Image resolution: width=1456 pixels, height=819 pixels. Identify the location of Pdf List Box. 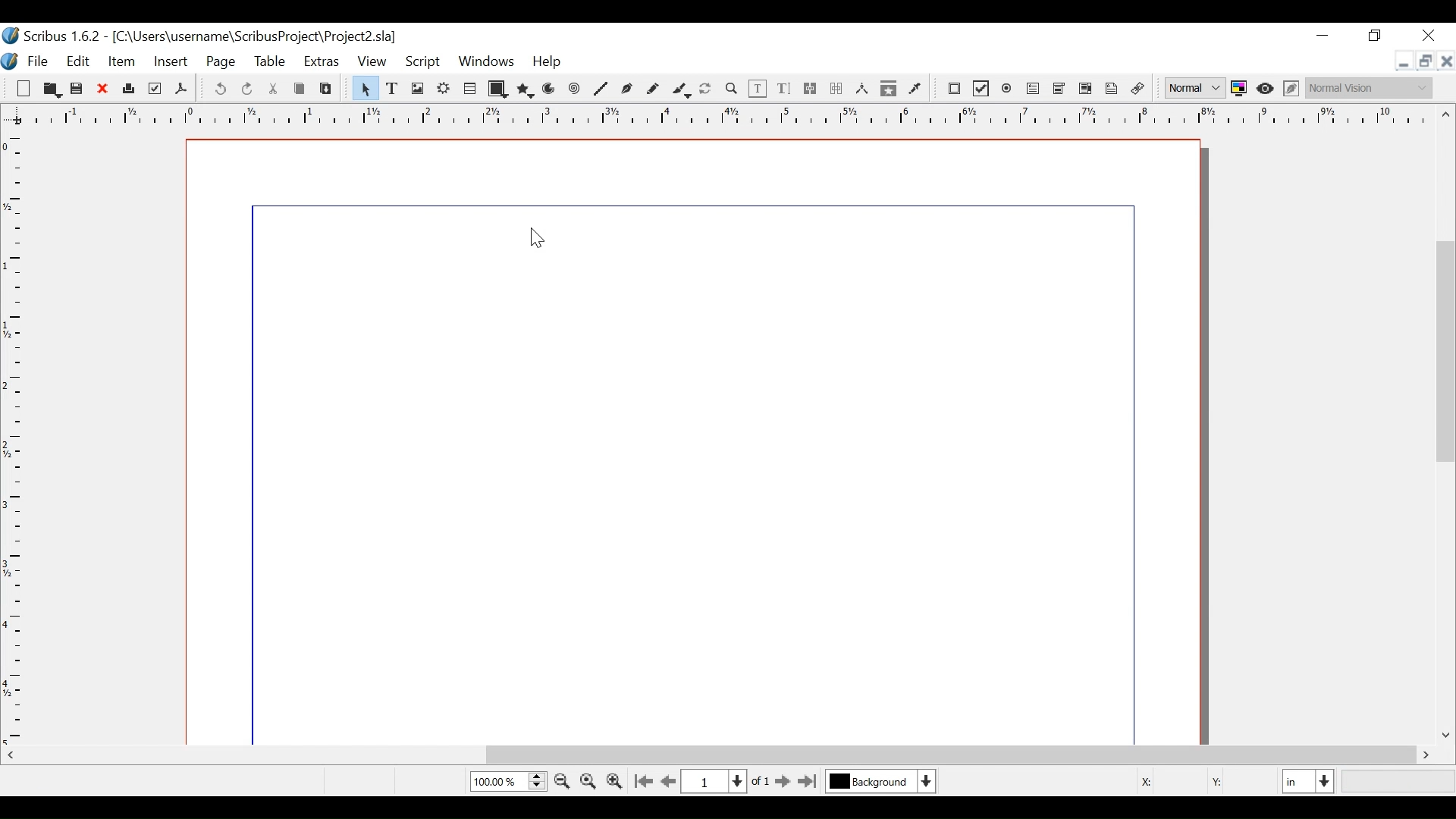
(1086, 88).